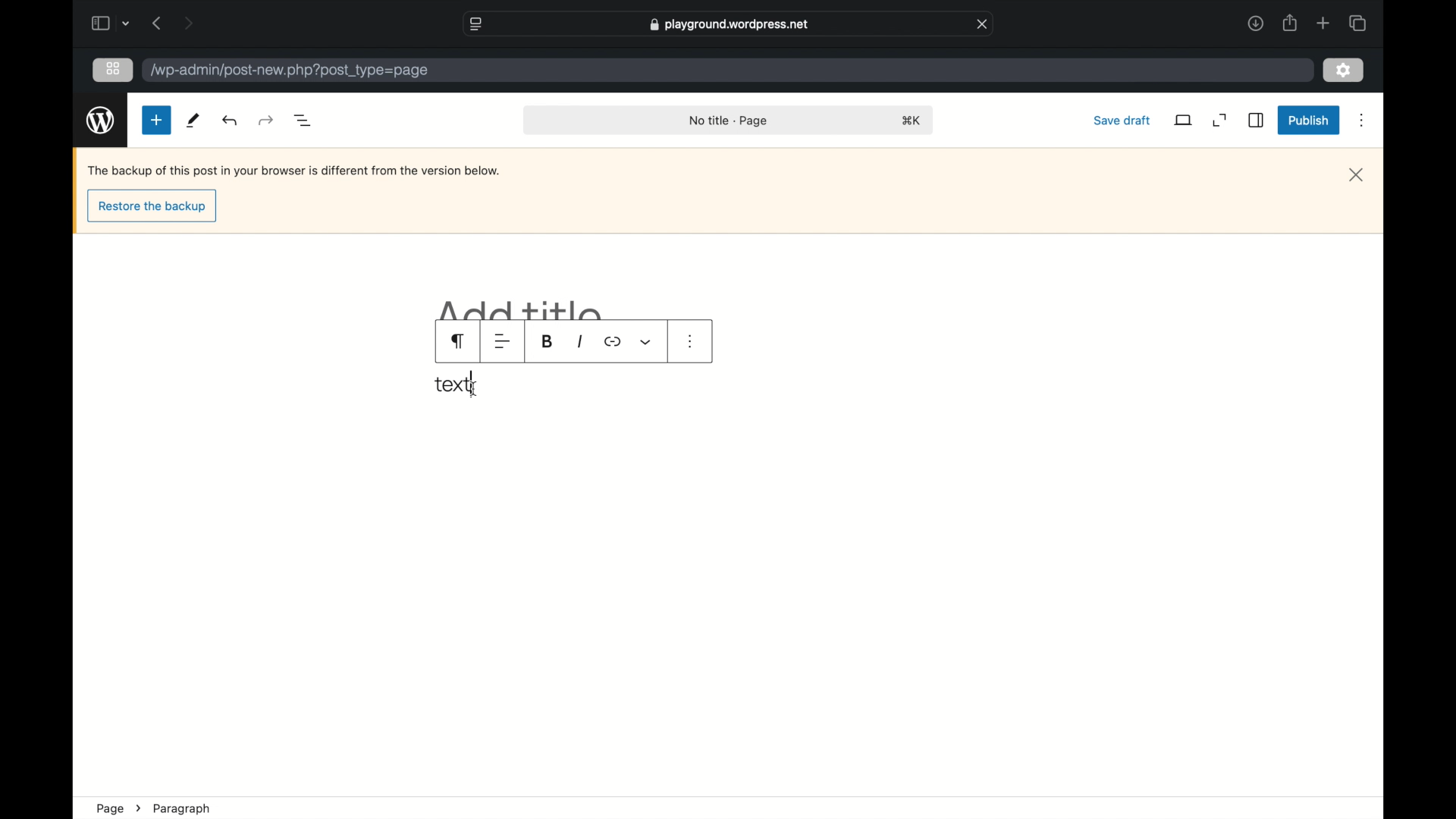 The image size is (1456, 819). I want to click on paragraph, so click(460, 341).